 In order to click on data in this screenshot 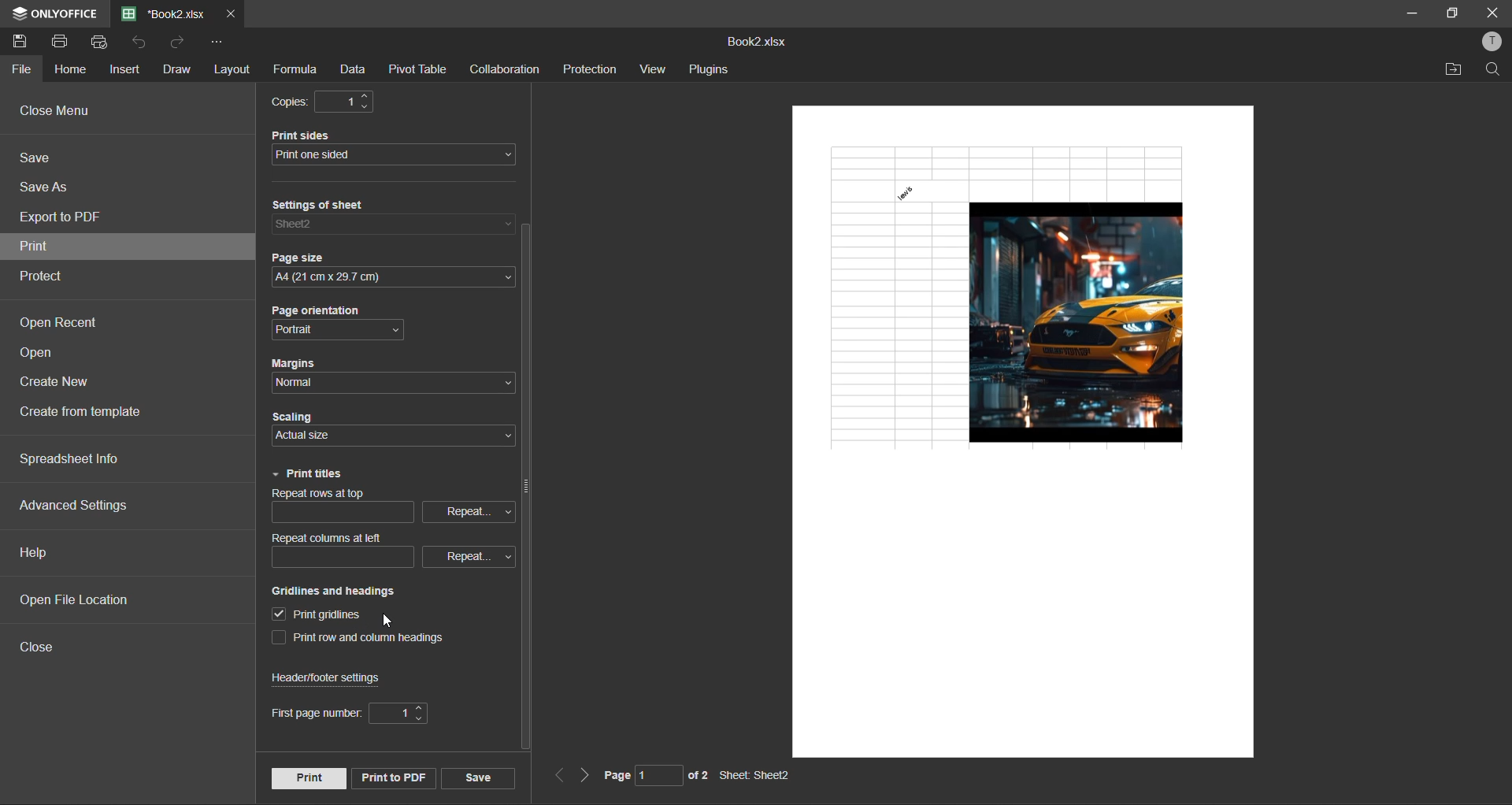, I will do `click(350, 69)`.